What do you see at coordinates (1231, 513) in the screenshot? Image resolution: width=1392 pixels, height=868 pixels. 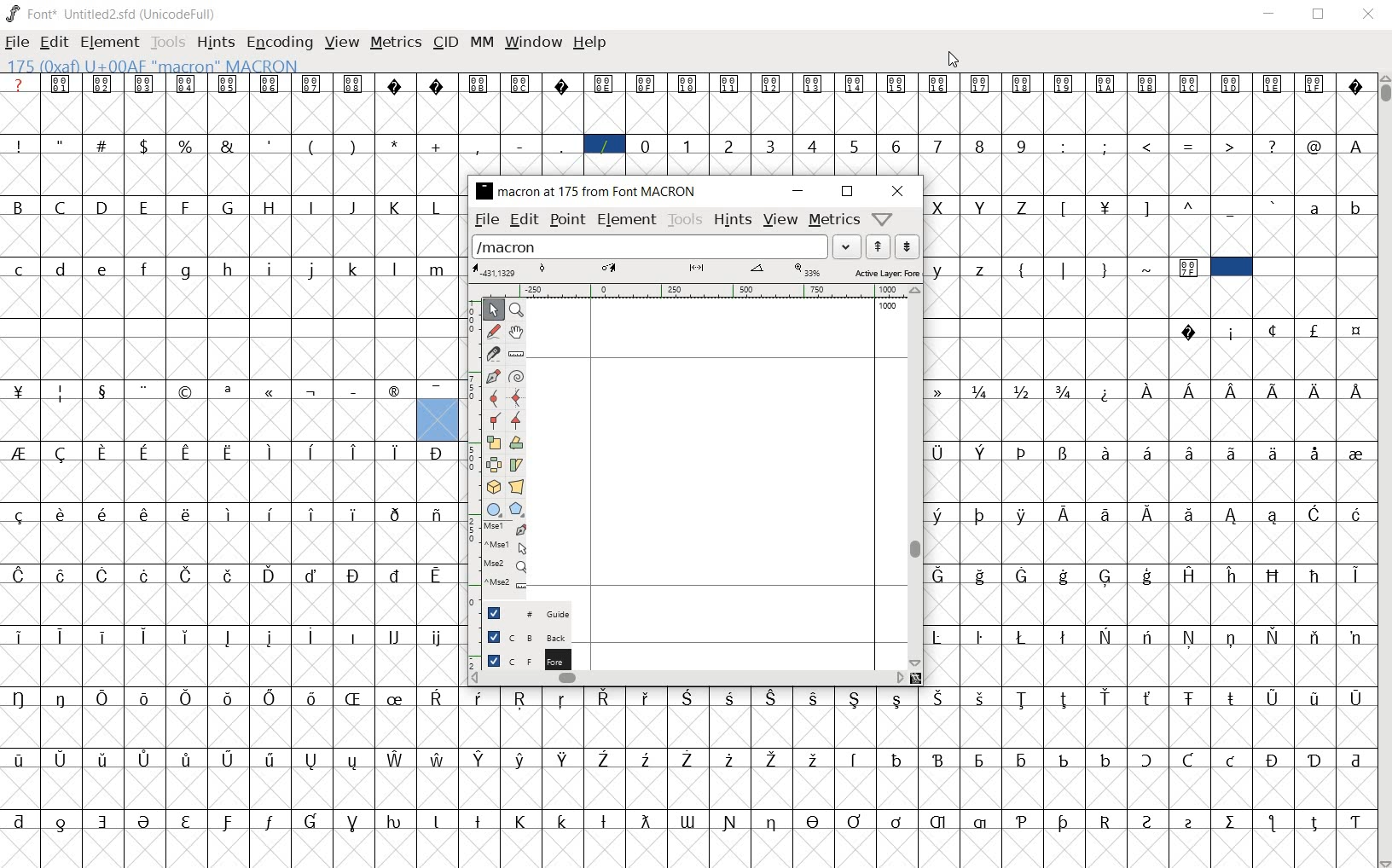 I see `Symbol` at bounding box center [1231, 513].